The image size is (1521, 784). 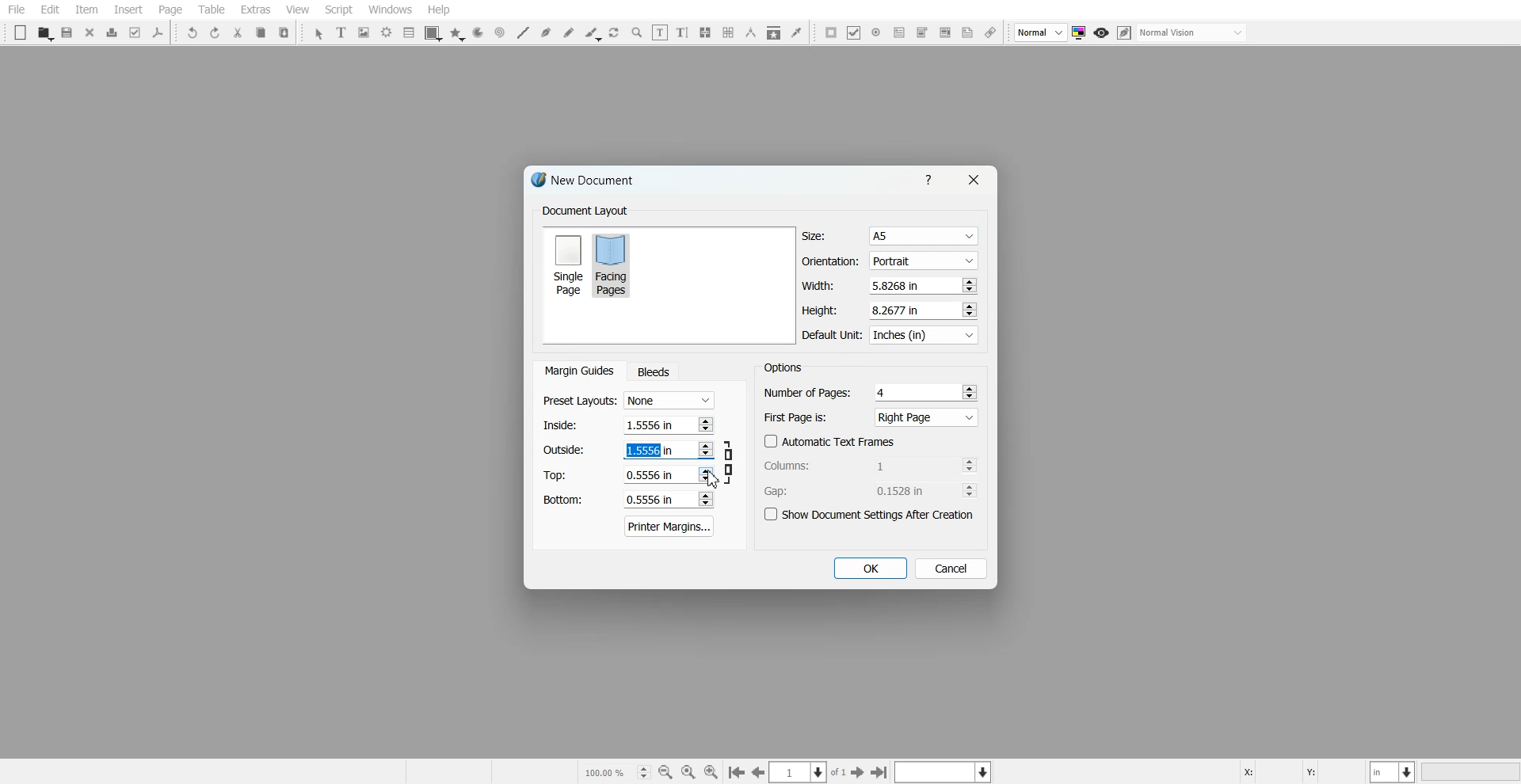 I want to click on Edit Text, so click(x=682, y=32).